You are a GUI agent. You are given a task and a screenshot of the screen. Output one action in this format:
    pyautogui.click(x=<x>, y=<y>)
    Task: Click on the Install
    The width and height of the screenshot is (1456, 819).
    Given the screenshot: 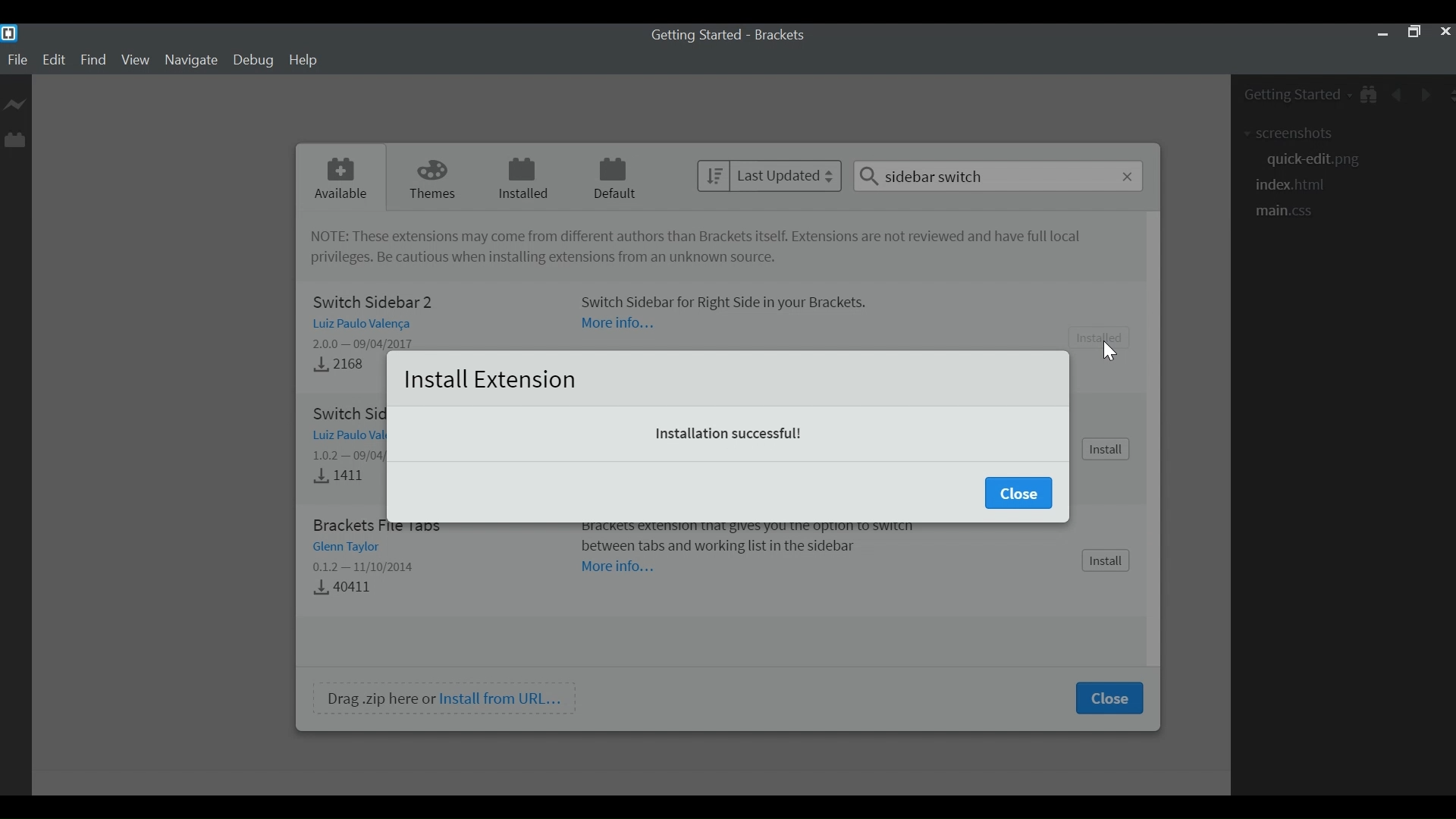 What is the action you would take?
    pyautogui.click(x=1106, y=337)
    